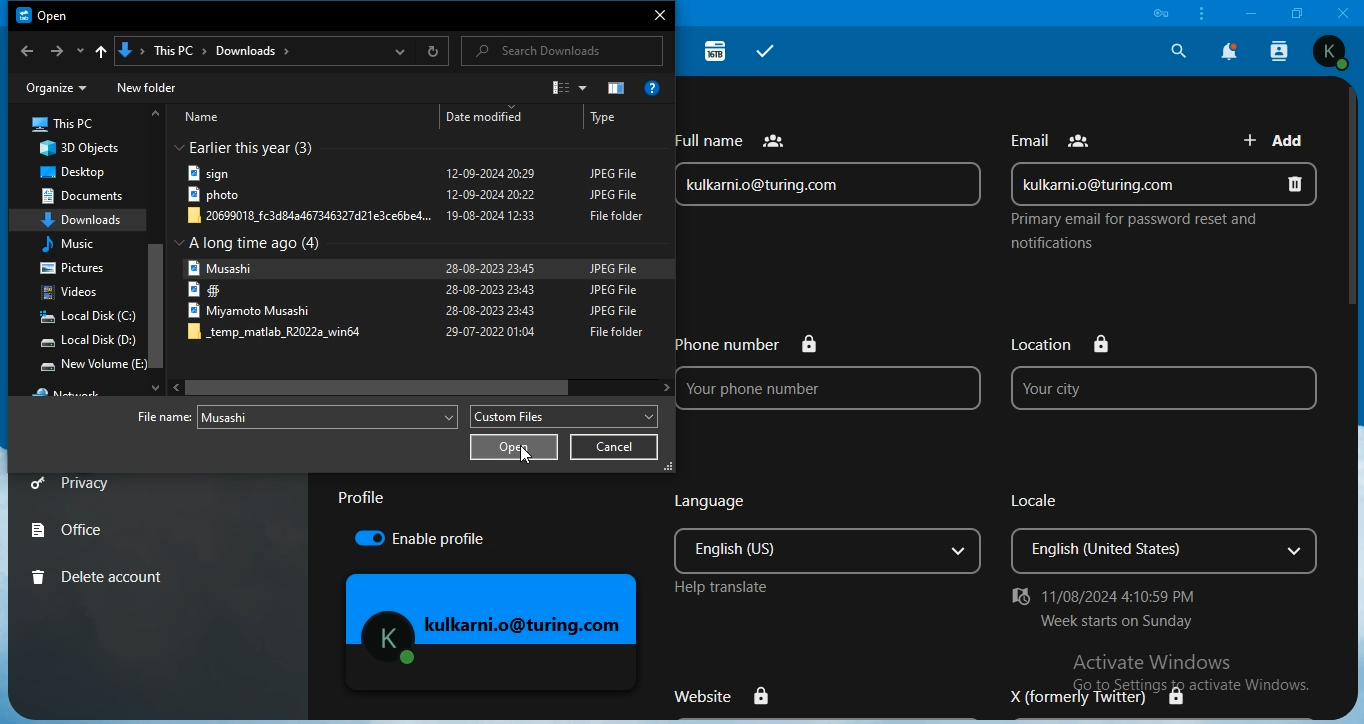  What do you see at coordinates (440, 540) in the screenshot?
I see `enable proflle` at bounding box center [440, 540].